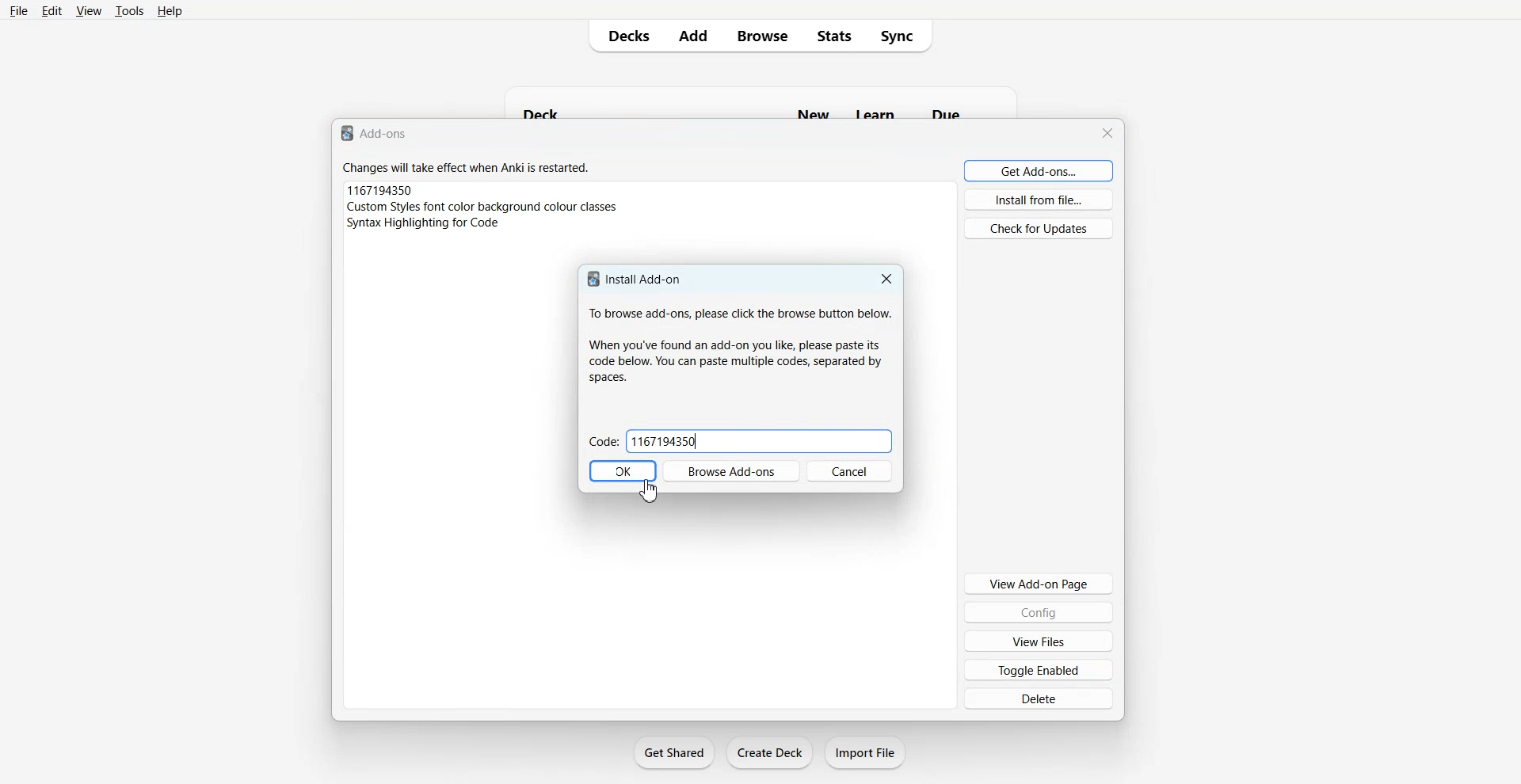  Describe the element at coordinates (732, 470) in the screenshot. I see `Browse Add-ons` at that location.